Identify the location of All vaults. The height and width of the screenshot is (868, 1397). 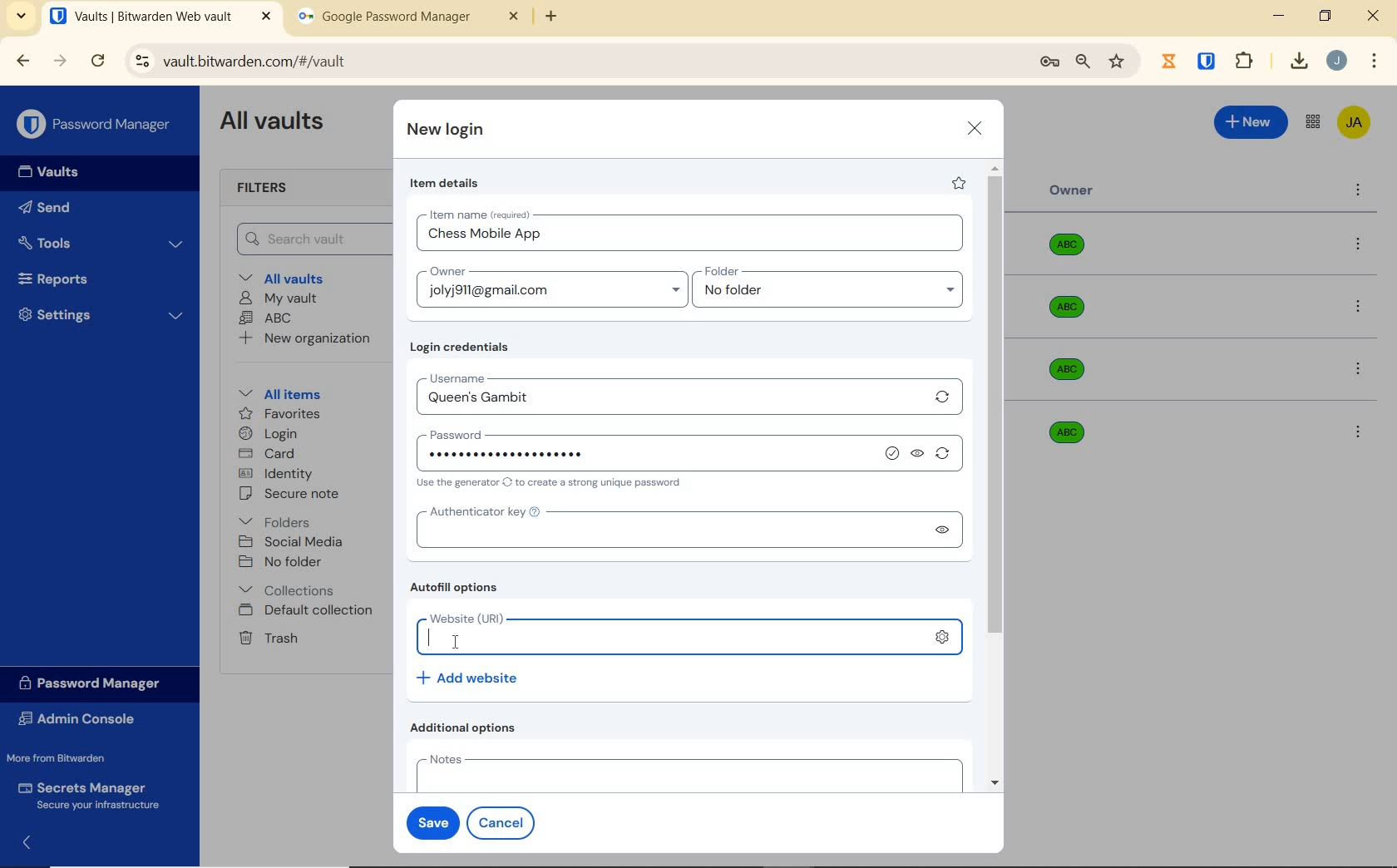
(288, 277).